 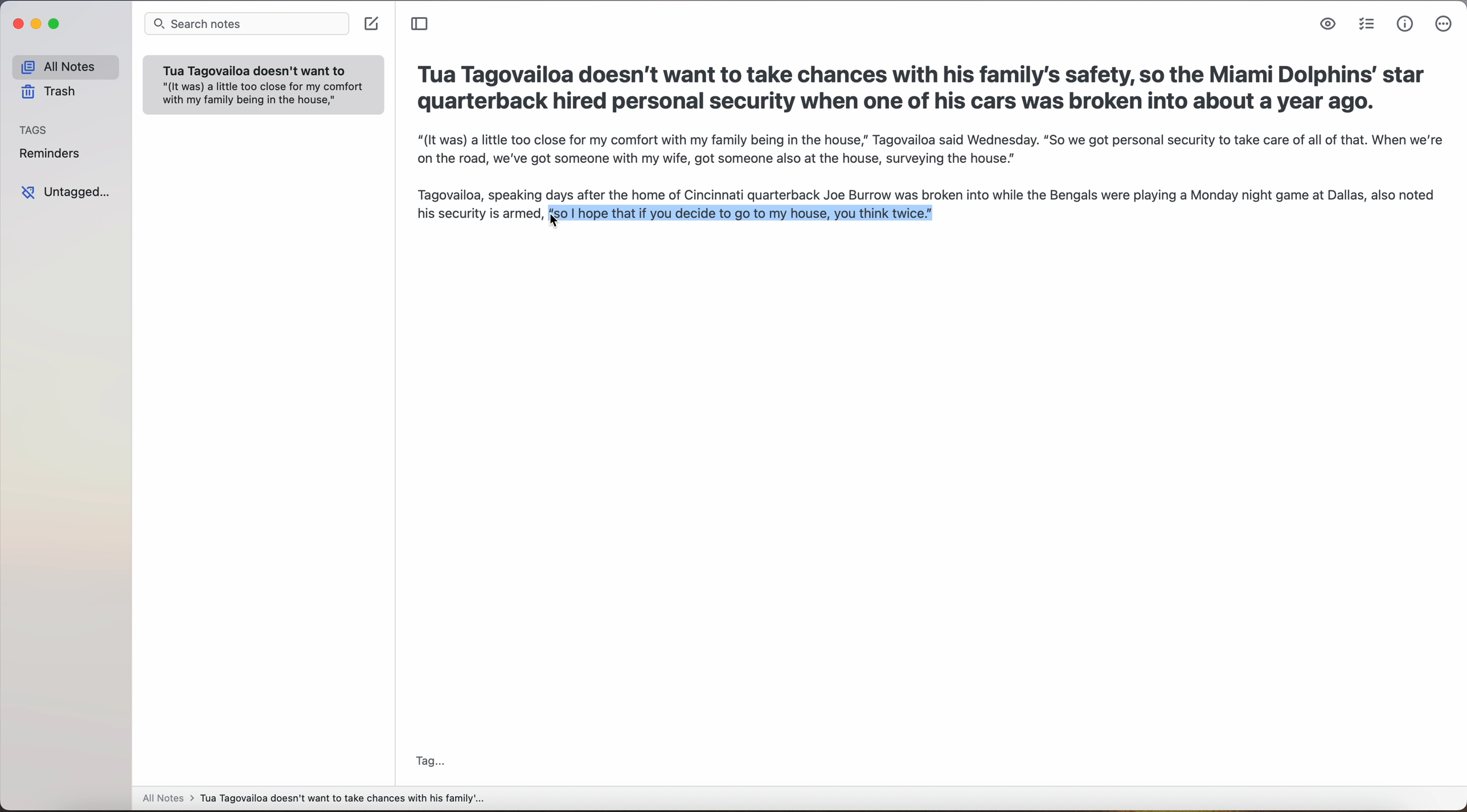 What do you see at coordinates (1367, 26) in the screenshot?
I see `check list` at bounding box center [1367, 26].